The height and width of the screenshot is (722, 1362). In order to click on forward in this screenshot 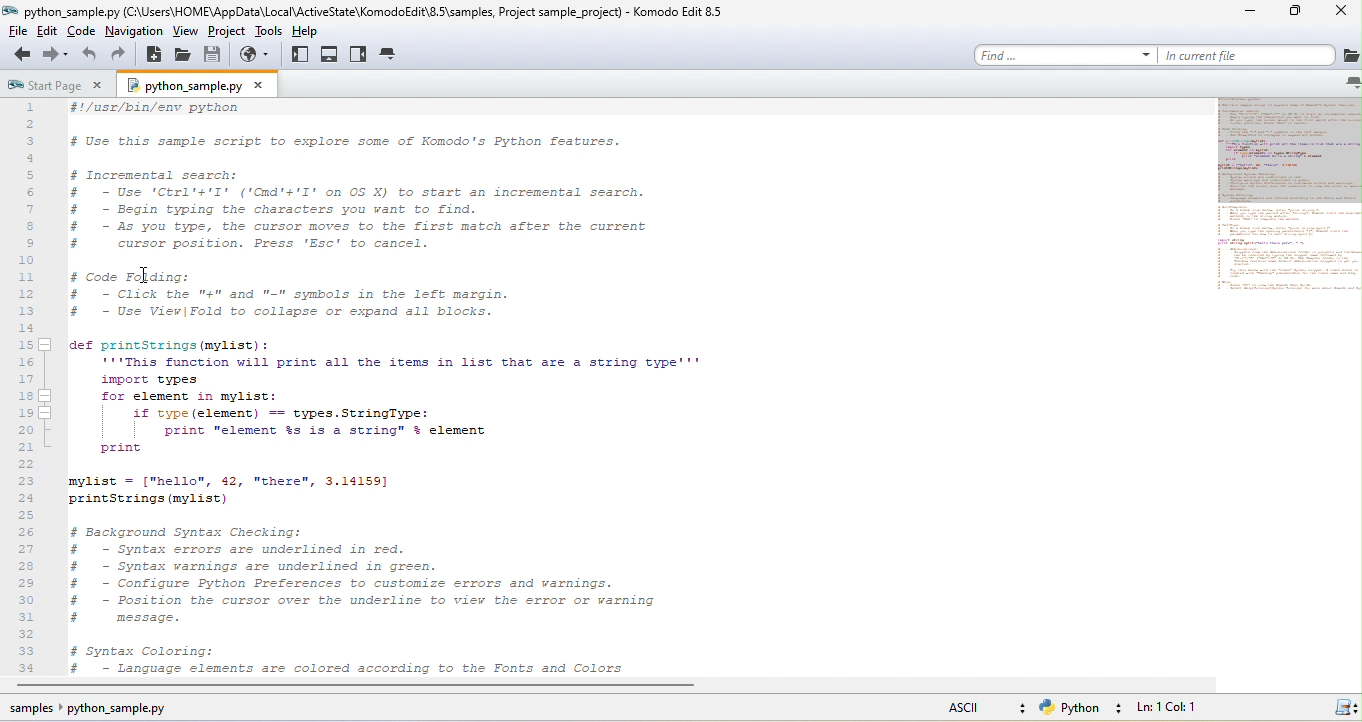, I will do `click(56, 58)`.